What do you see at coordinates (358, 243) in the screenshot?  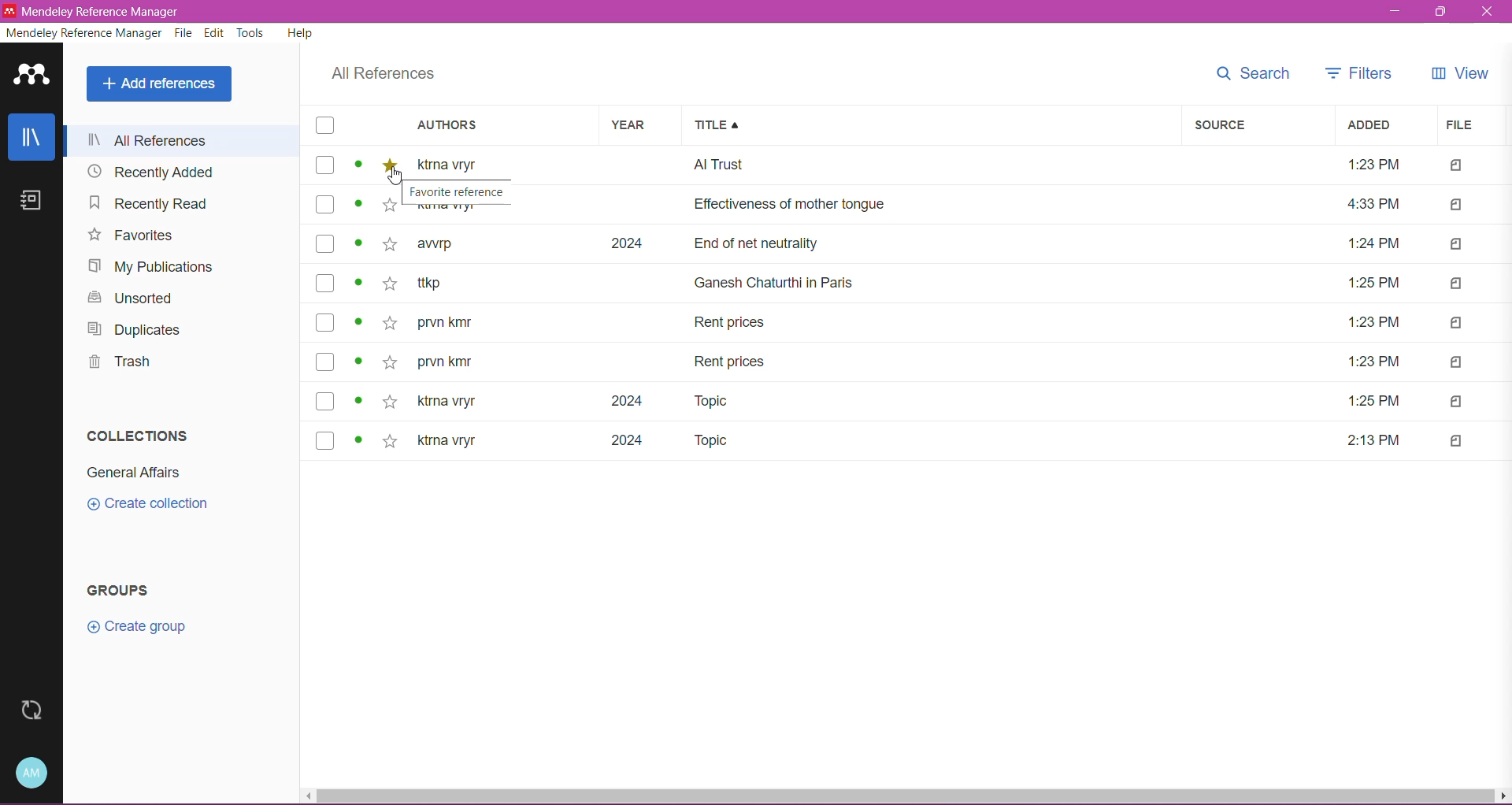 I see `Click to see more details` at bounding box center [358, 243].